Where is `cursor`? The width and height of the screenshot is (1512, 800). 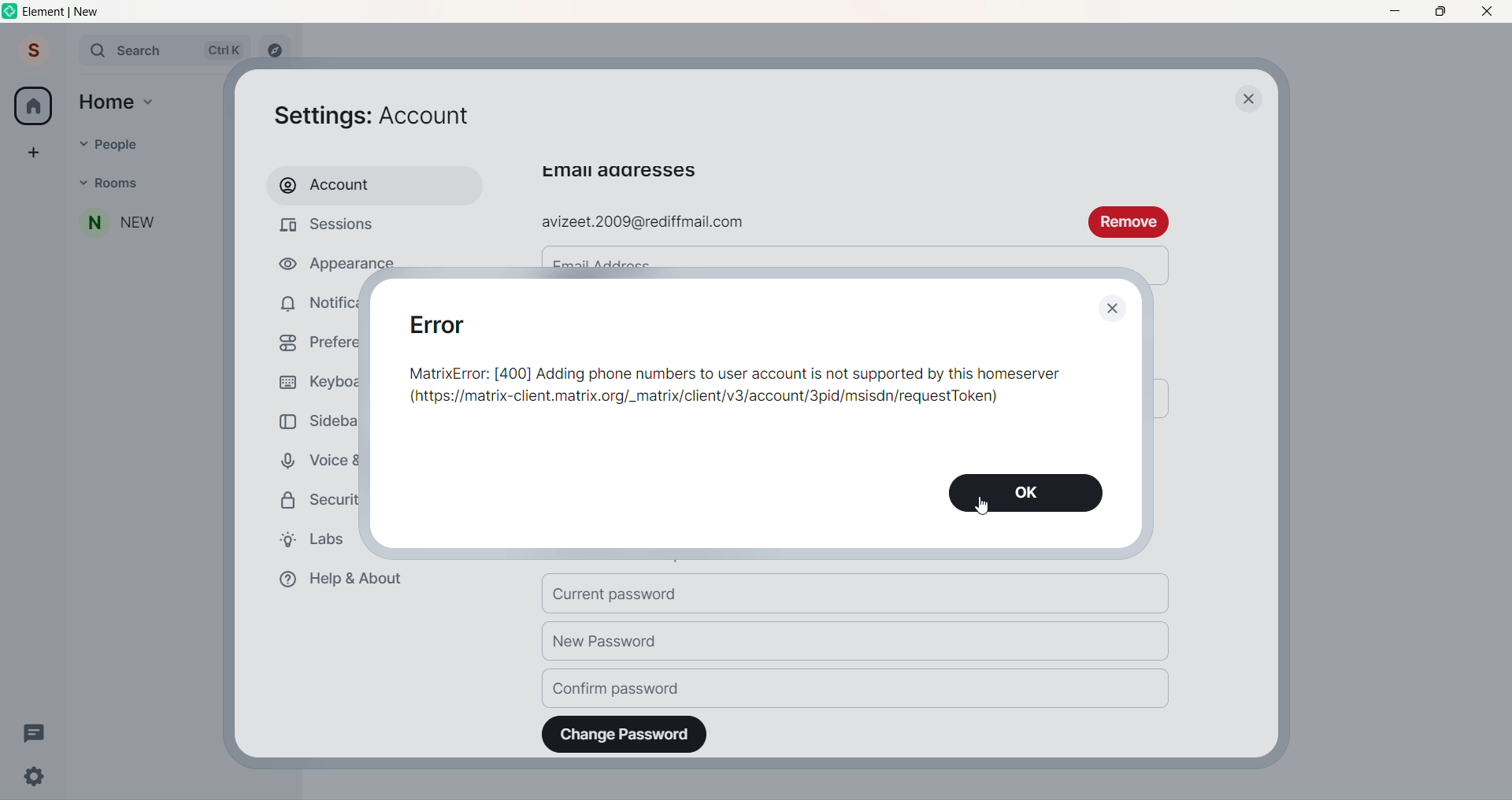 cursor is located at coordinates (983, 507).